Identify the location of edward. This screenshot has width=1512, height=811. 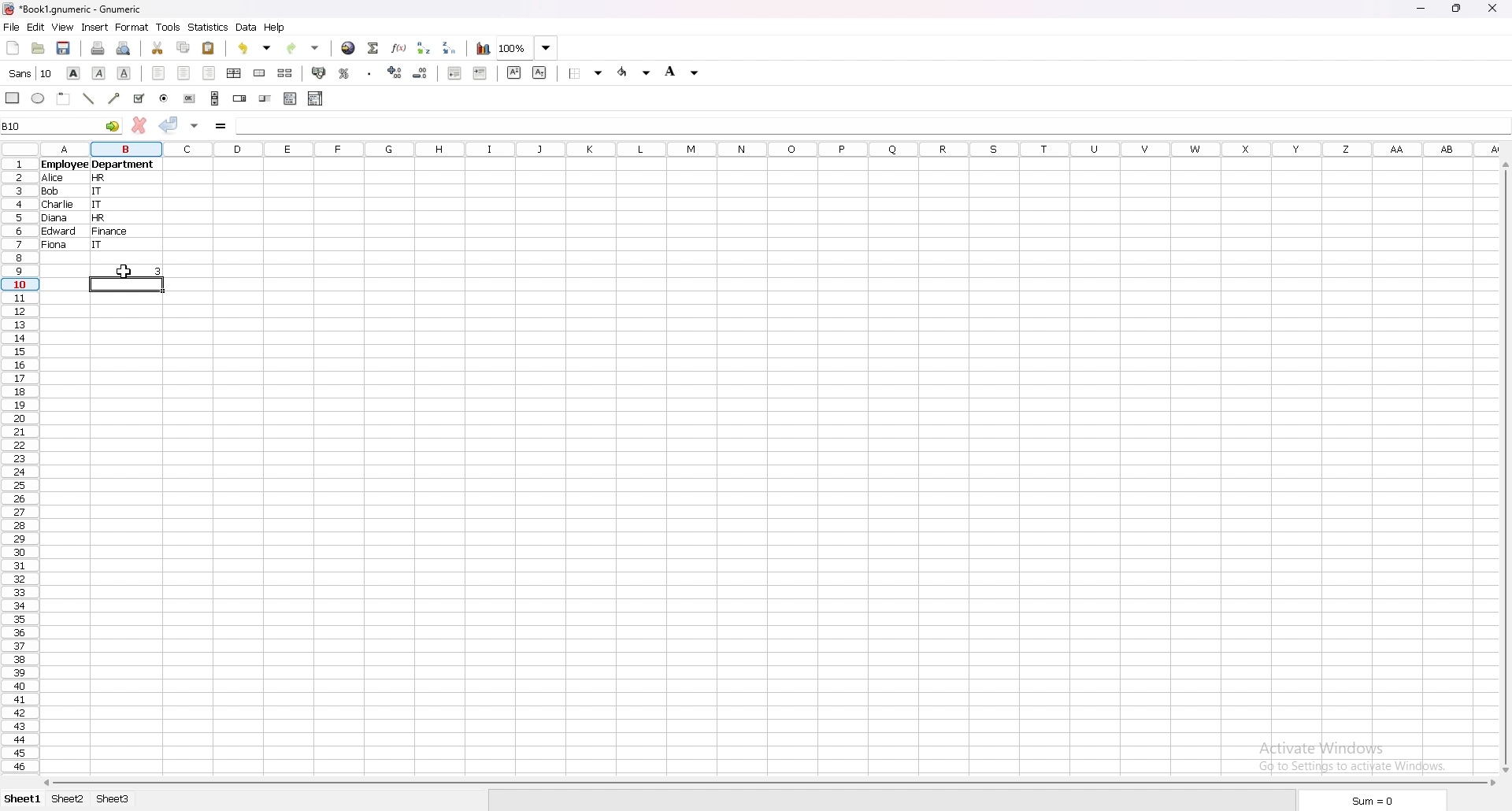
(58, 232).